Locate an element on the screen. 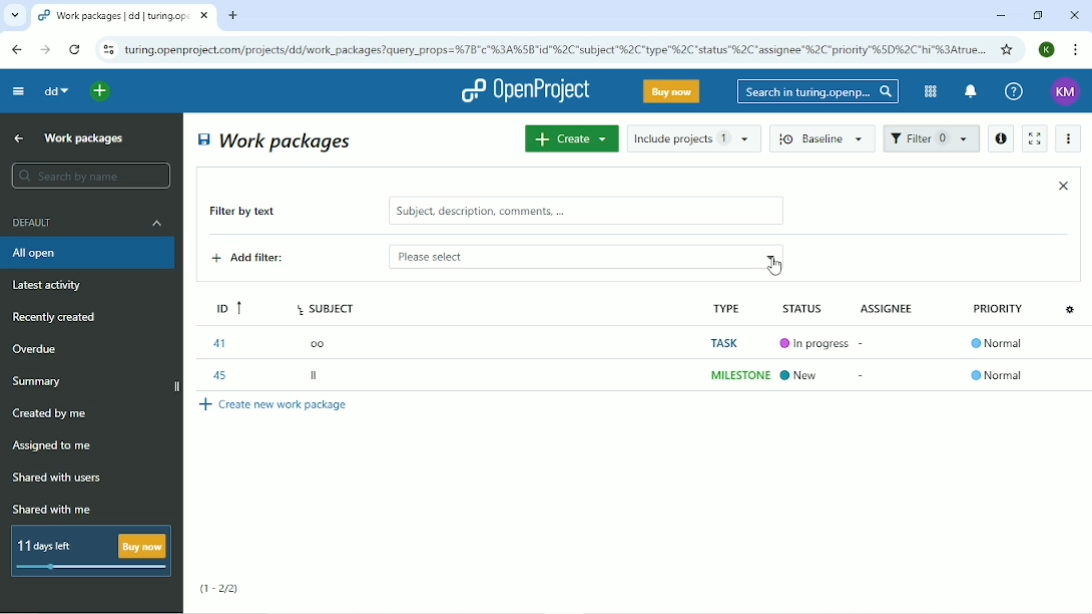 This screenshot has height=614, width=1092. Back is located at coordinates (16, 49).